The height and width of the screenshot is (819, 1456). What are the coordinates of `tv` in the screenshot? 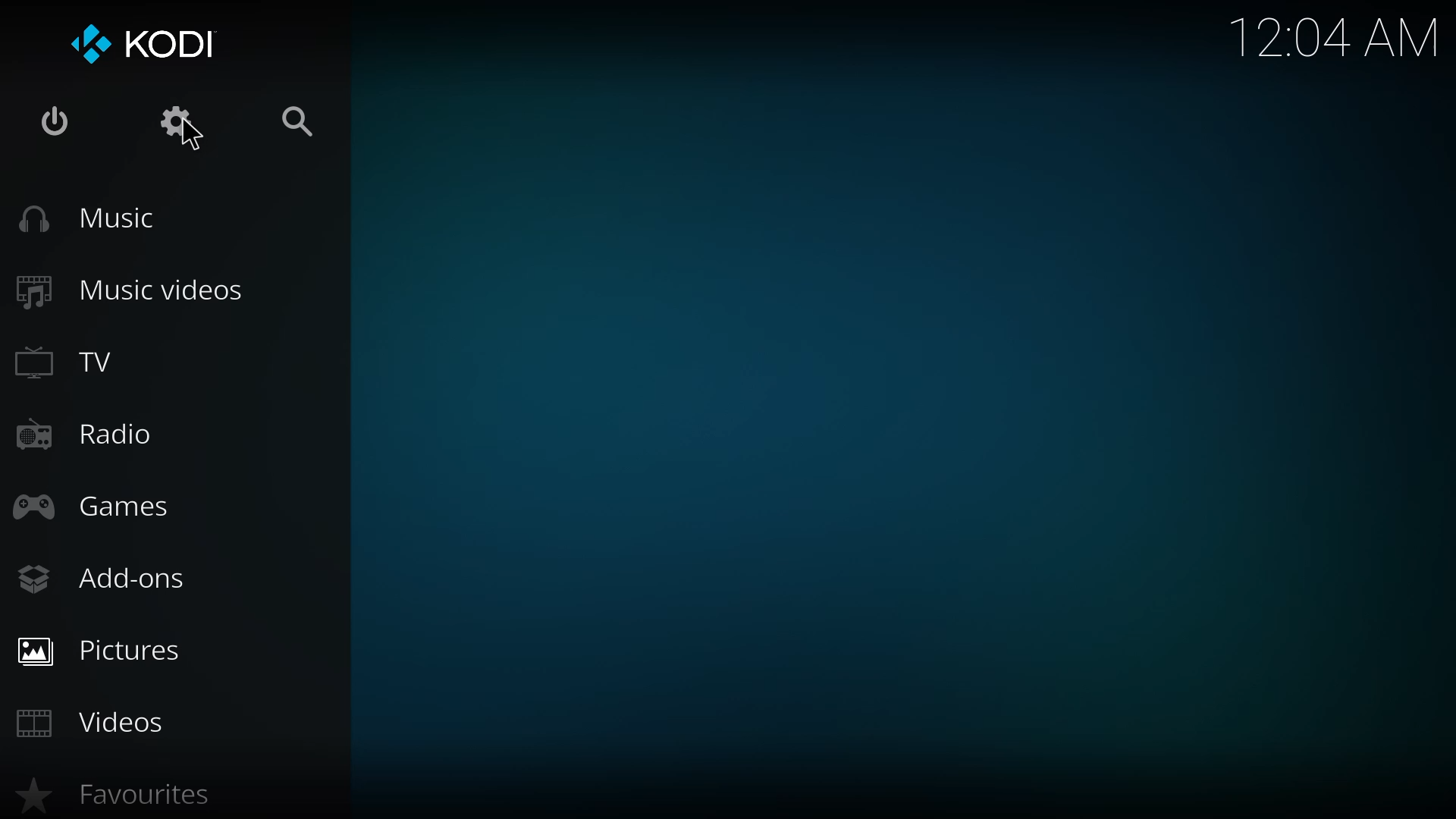 It's located at (68, 364).